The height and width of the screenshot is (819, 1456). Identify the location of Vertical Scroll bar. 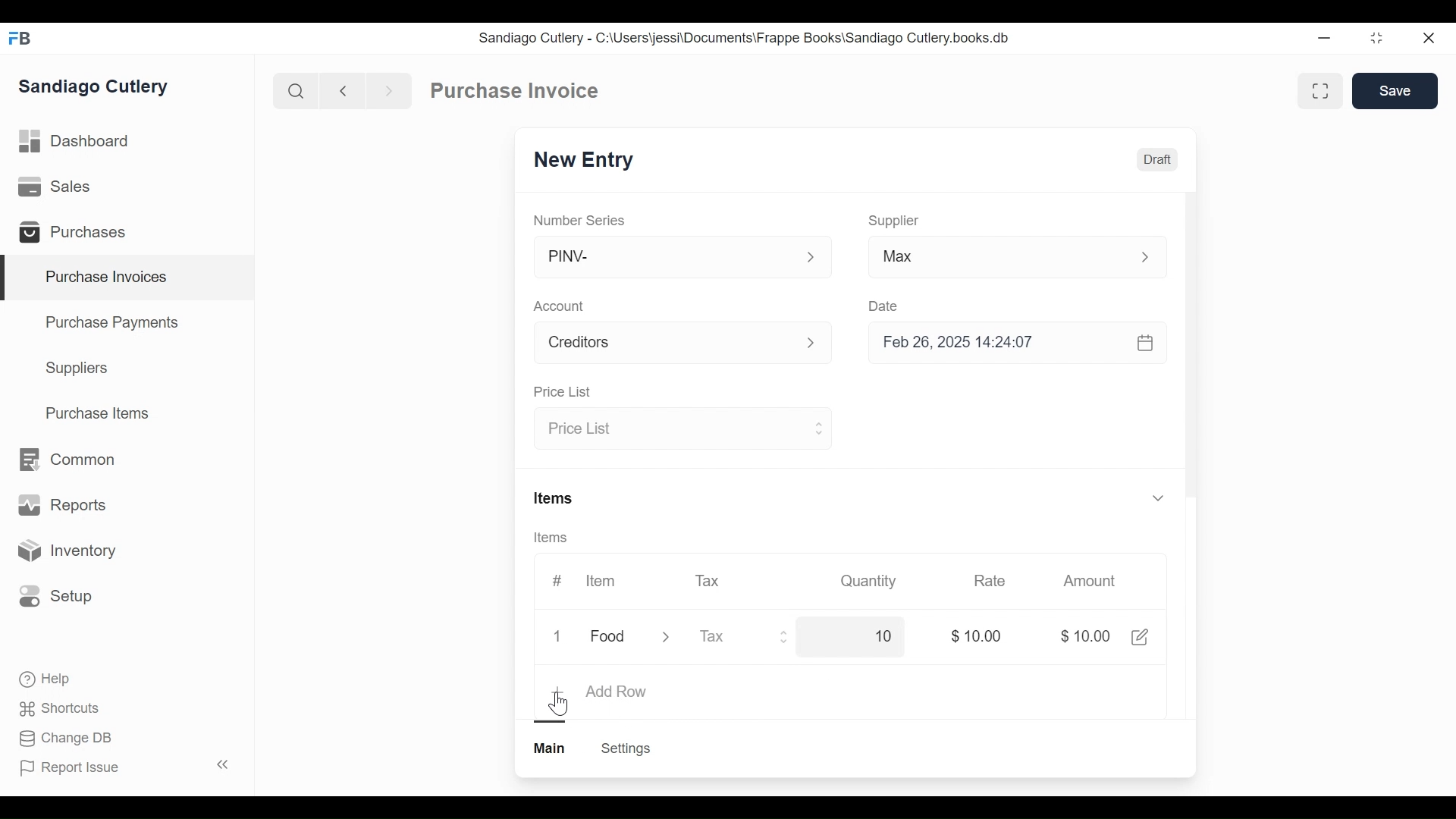
(1191, 358).